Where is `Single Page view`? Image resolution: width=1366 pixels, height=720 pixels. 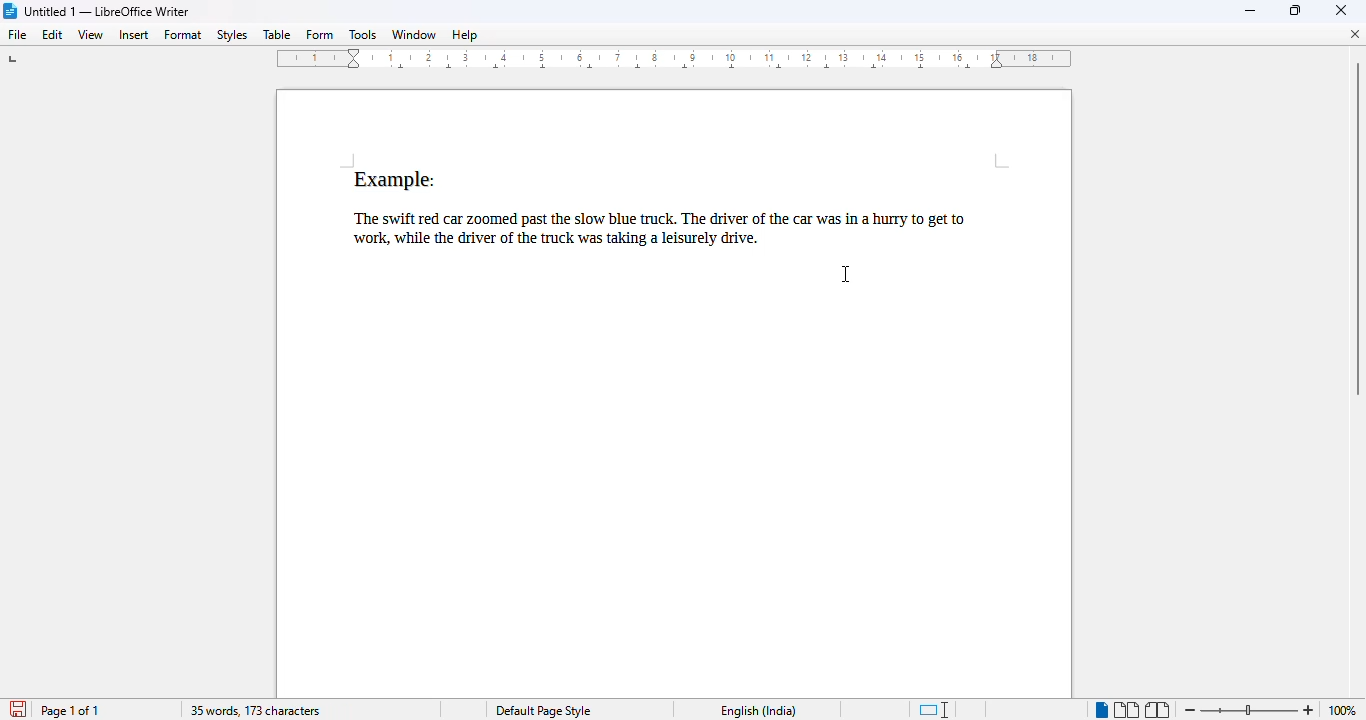 Single Page view is located at coordinates (1091, 709).